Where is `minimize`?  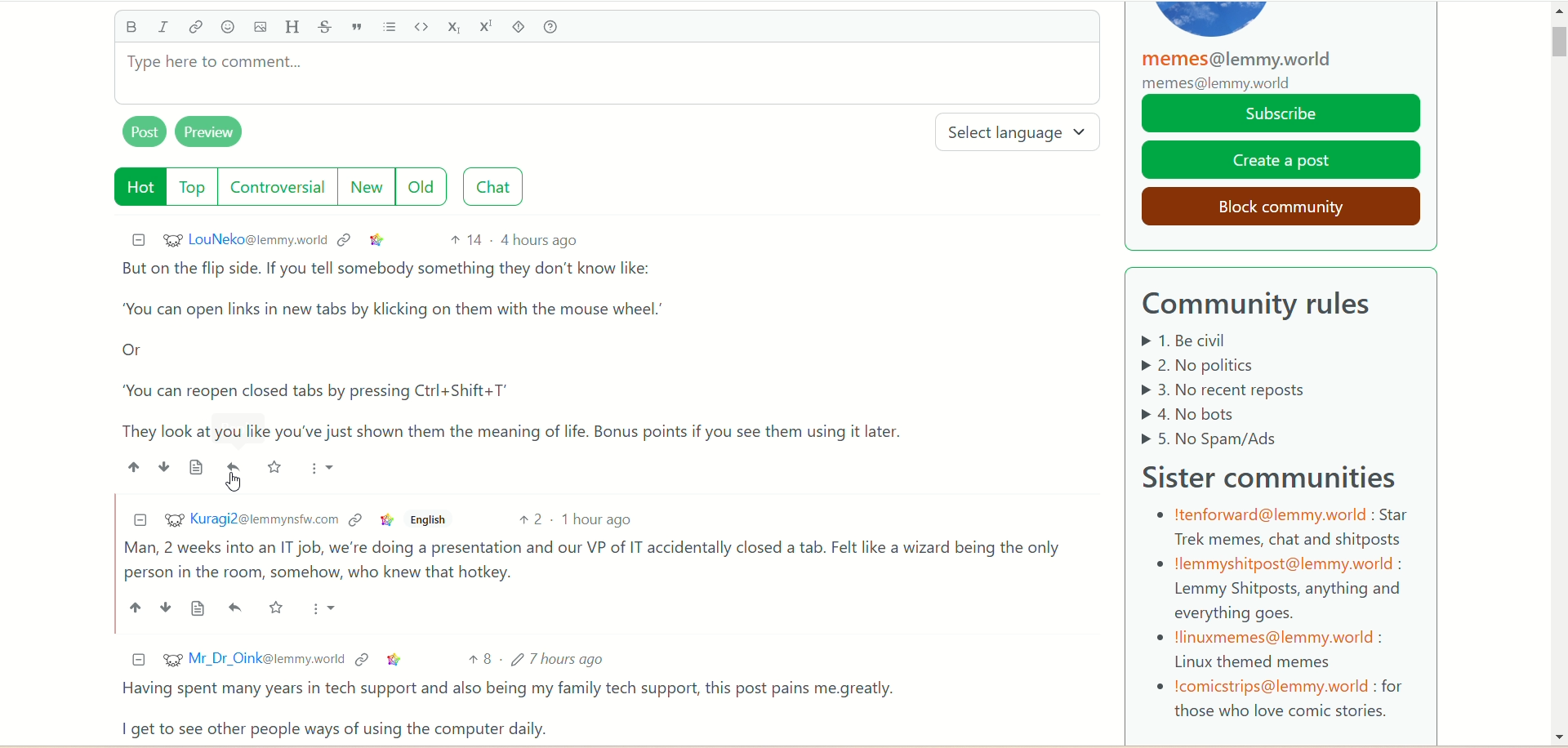 minimize is located at coordinates (135, 659).